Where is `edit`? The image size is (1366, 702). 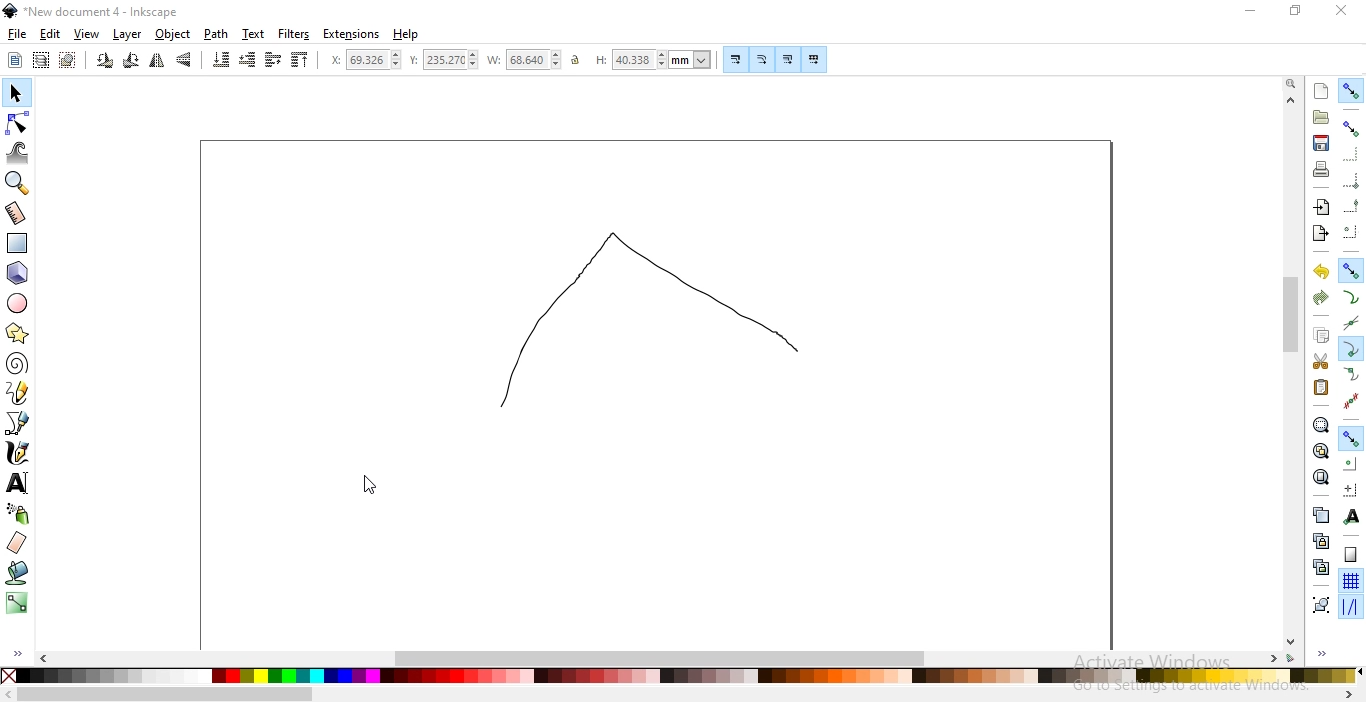
edit is located at coordinates (50, 36).